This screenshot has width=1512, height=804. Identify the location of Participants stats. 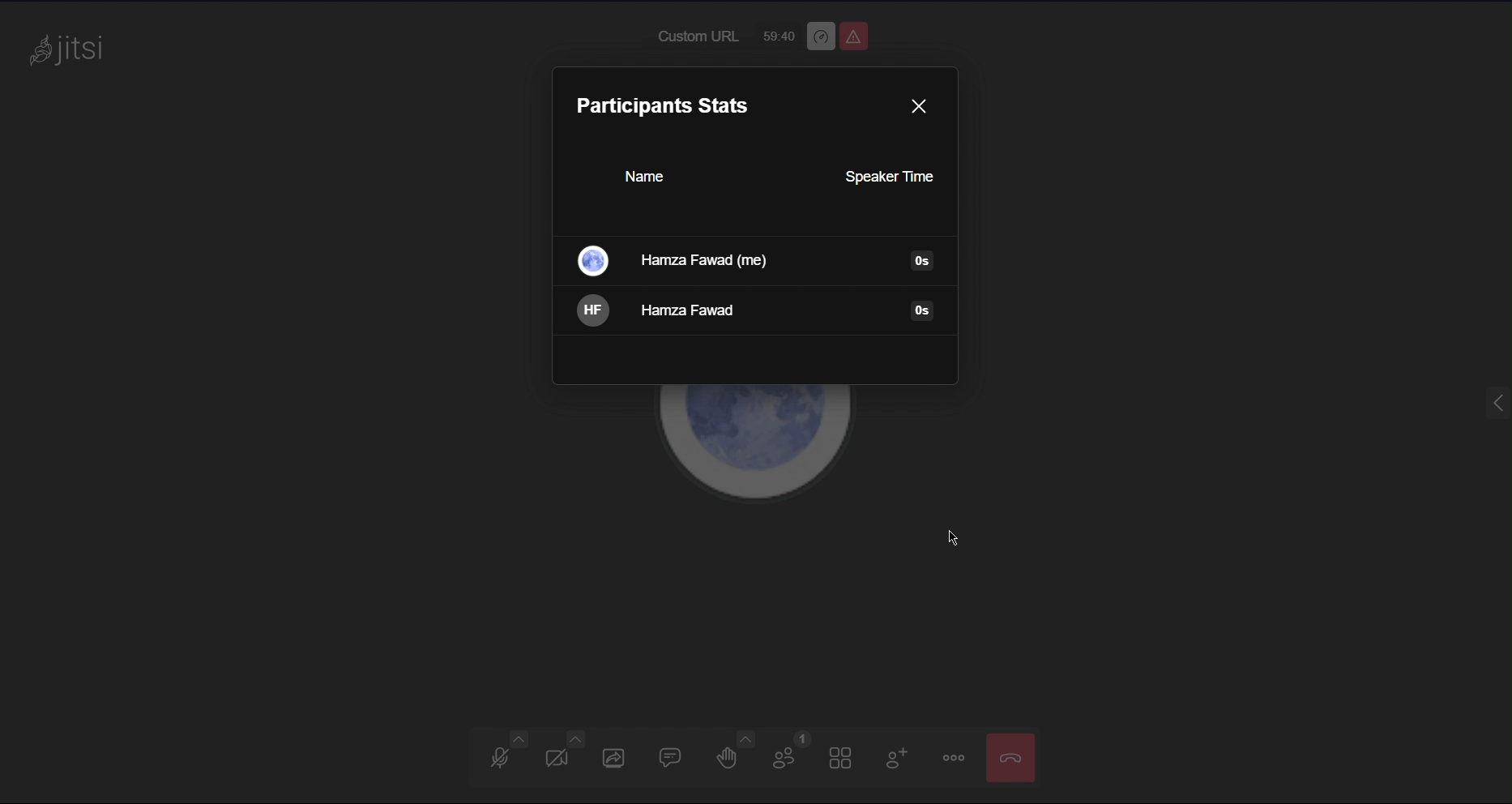
(661, 106).